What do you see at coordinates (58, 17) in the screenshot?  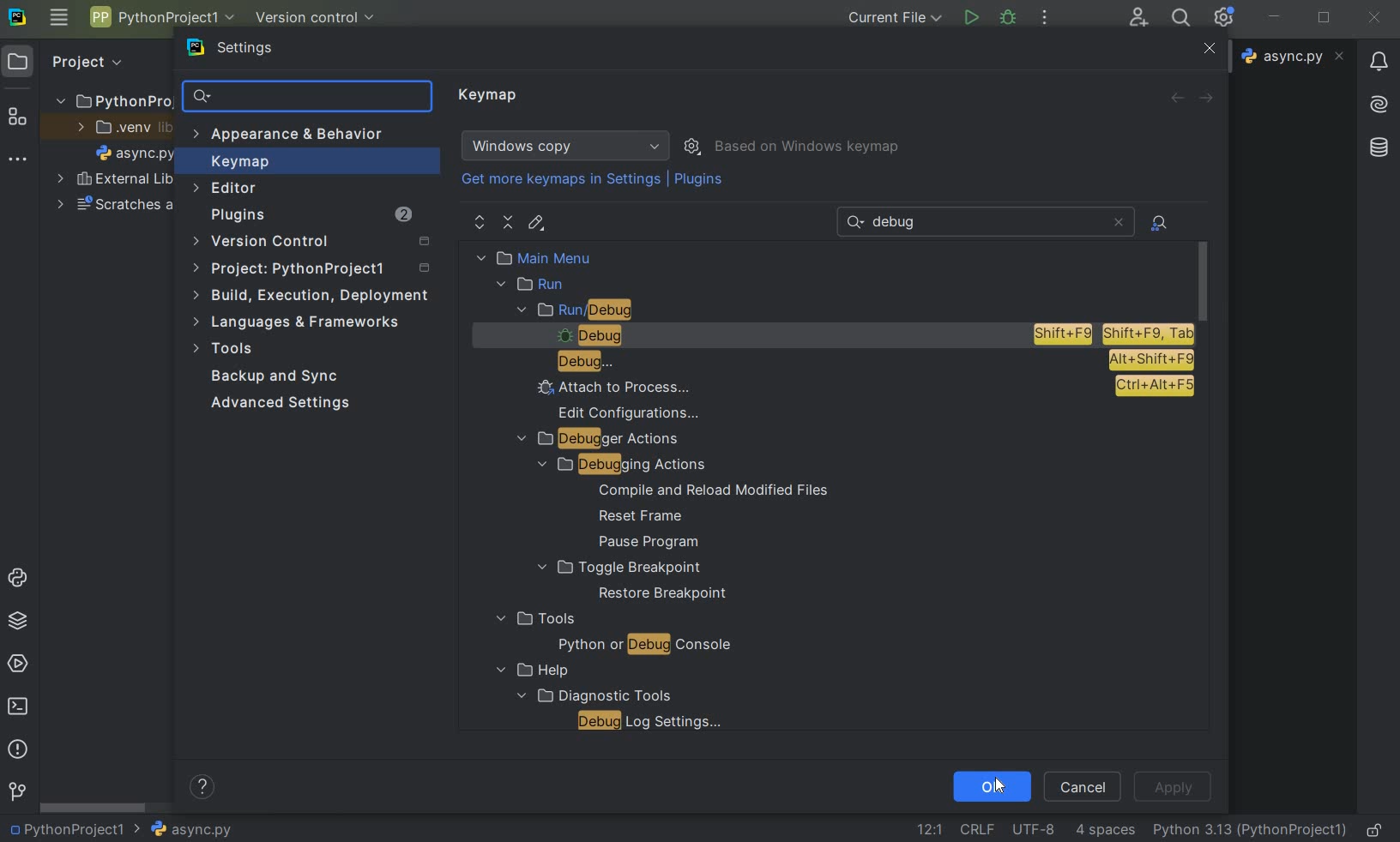 I see `main menu` at bounding box center [58, 17].